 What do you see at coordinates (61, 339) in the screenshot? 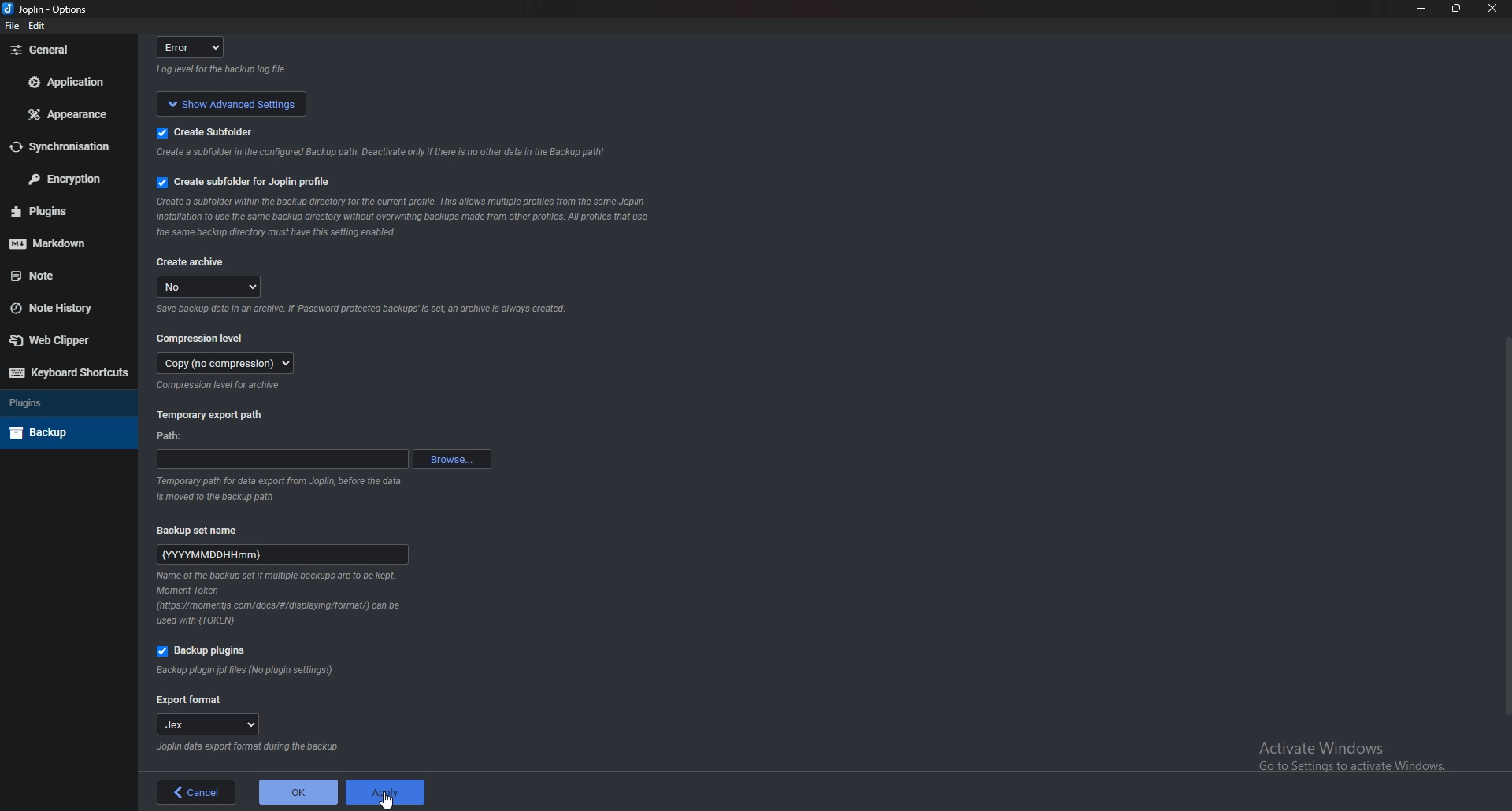
I see `Web Clipper` at bounding box center [61, 339].